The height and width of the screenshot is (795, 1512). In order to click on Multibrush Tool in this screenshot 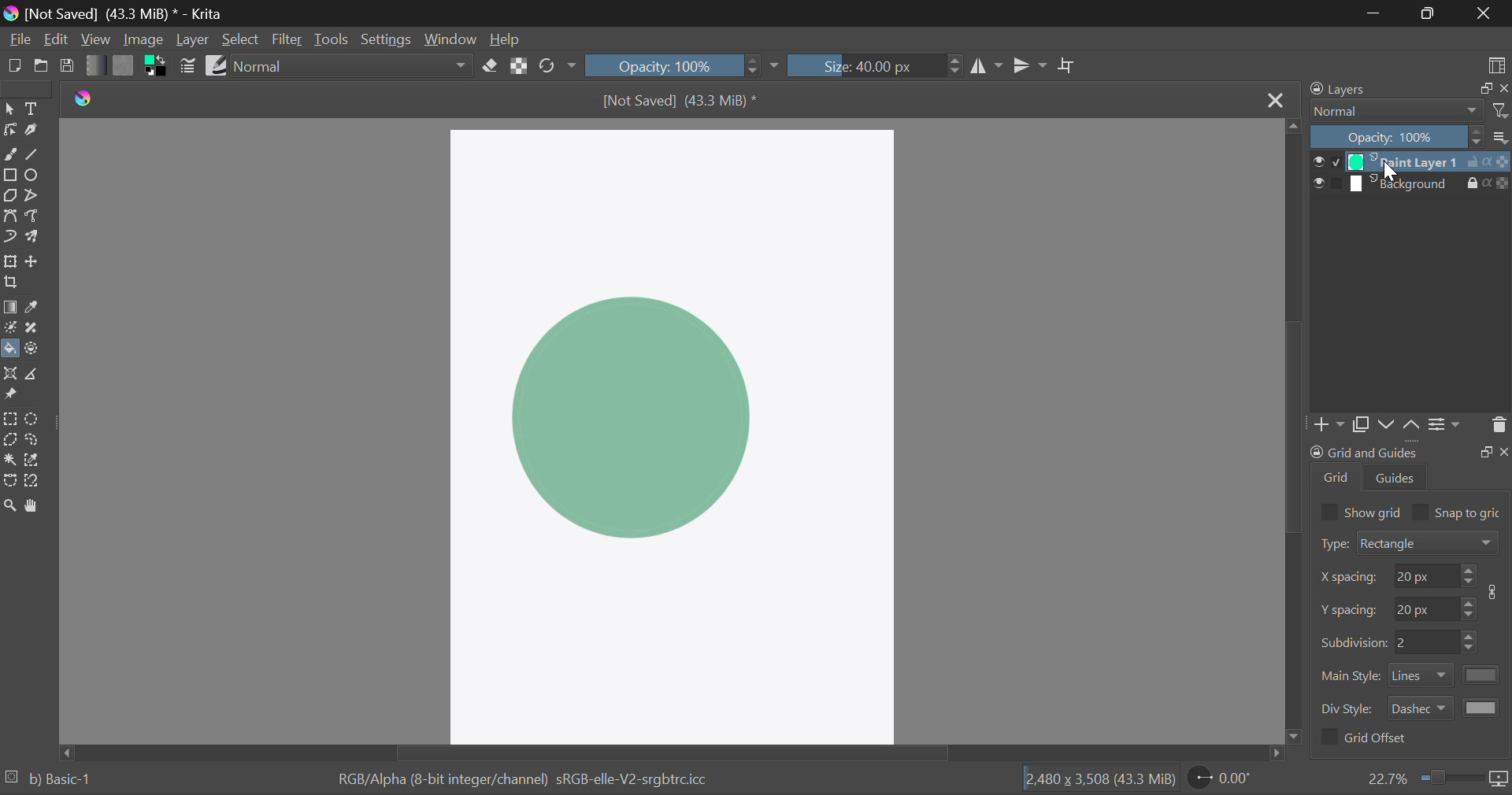, I will do `click(35, 238)`.